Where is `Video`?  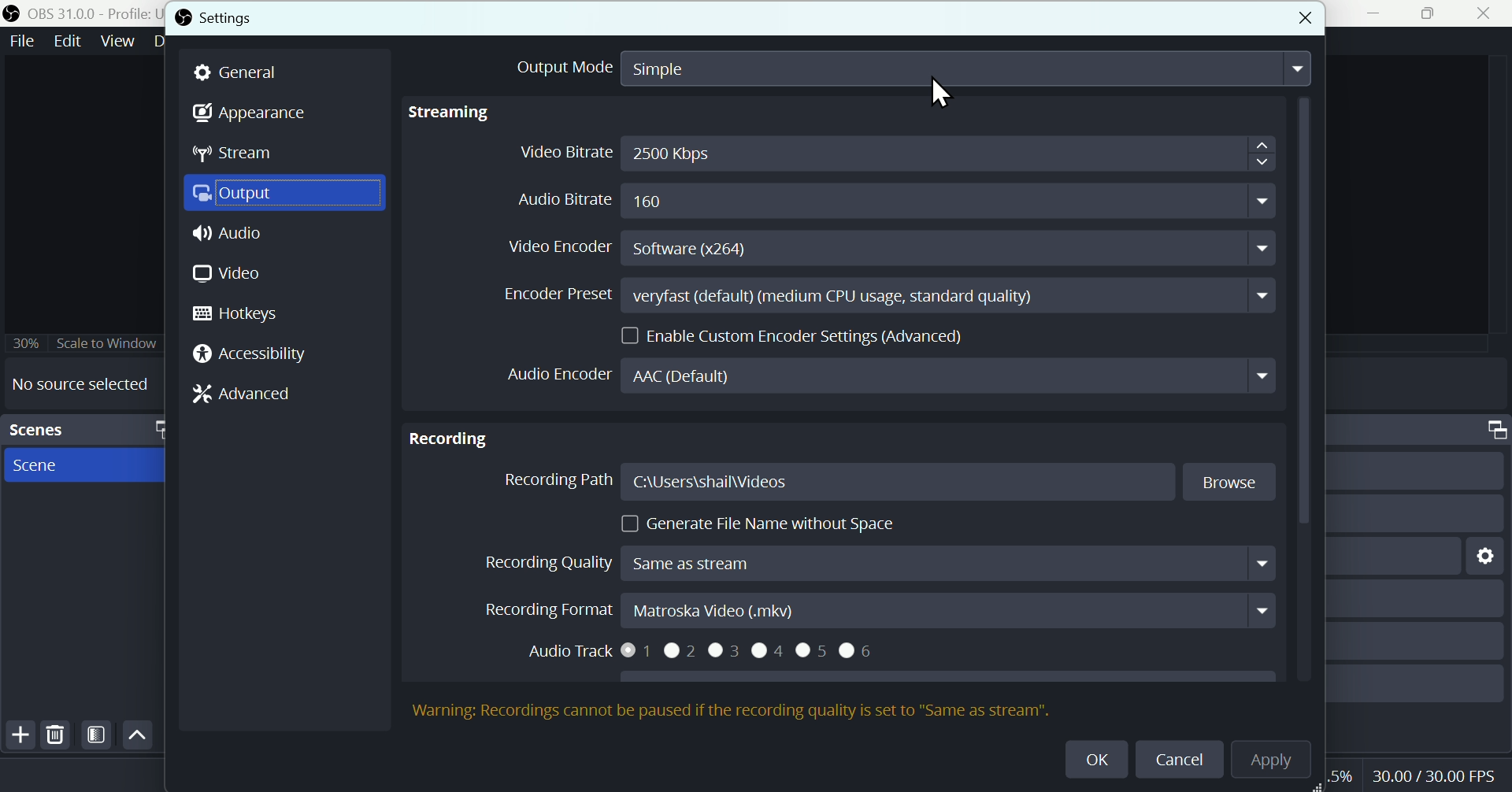 Video is located at coordinates (226, 275).